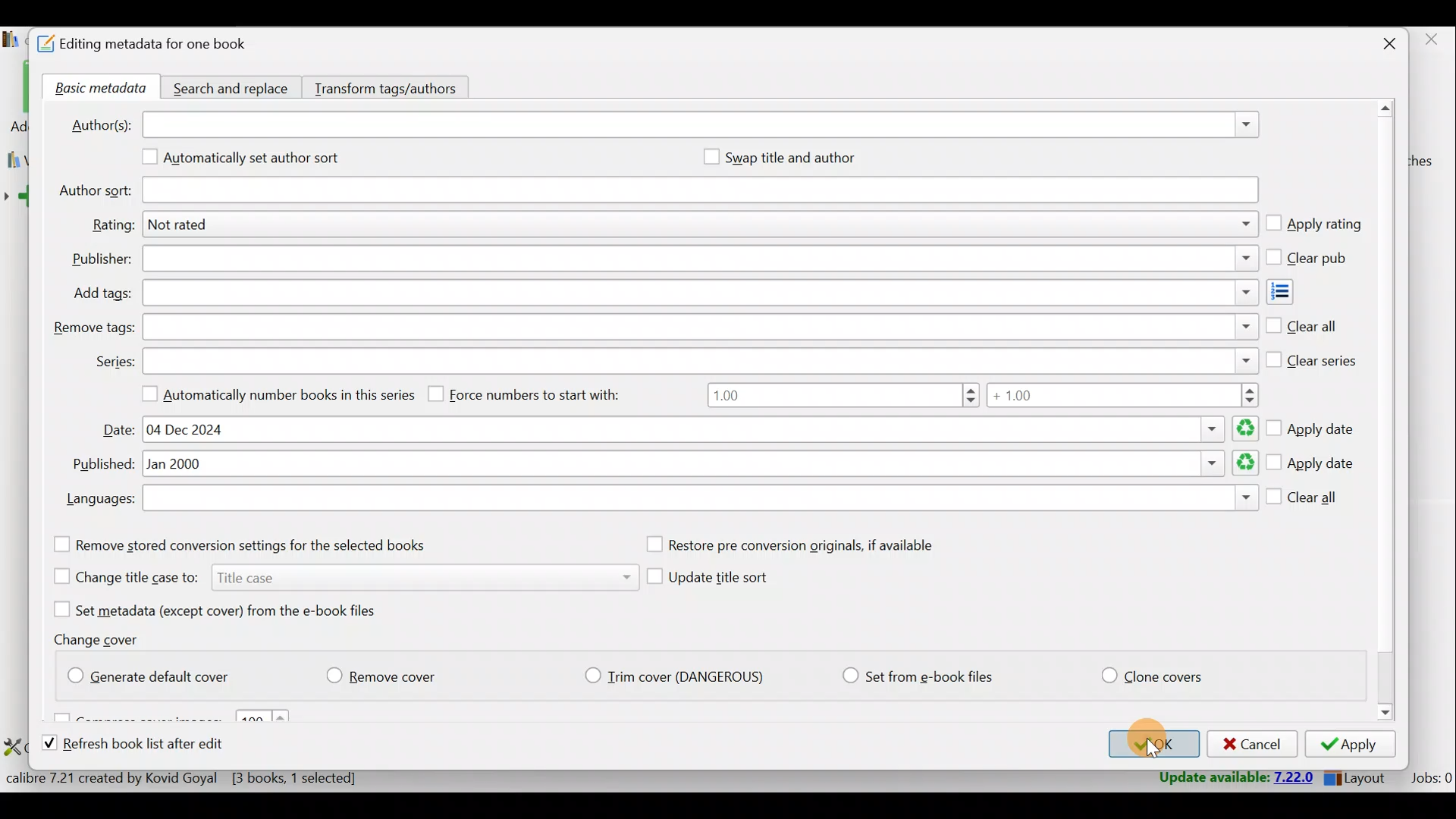 This screenshot has height=819, width=1456. Describe the element at coordinates (698, 293) in the screenshot. I see `Add tags` at that location.